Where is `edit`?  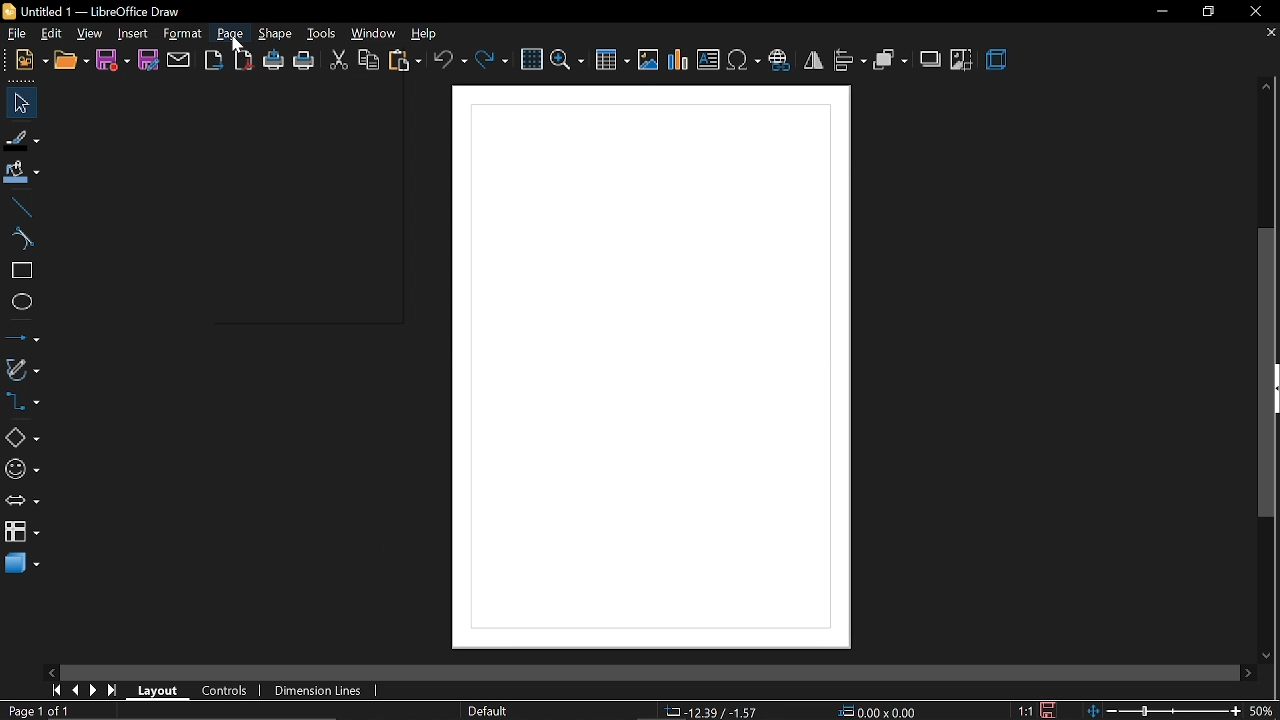 edit is located at coordinates (53, 34).